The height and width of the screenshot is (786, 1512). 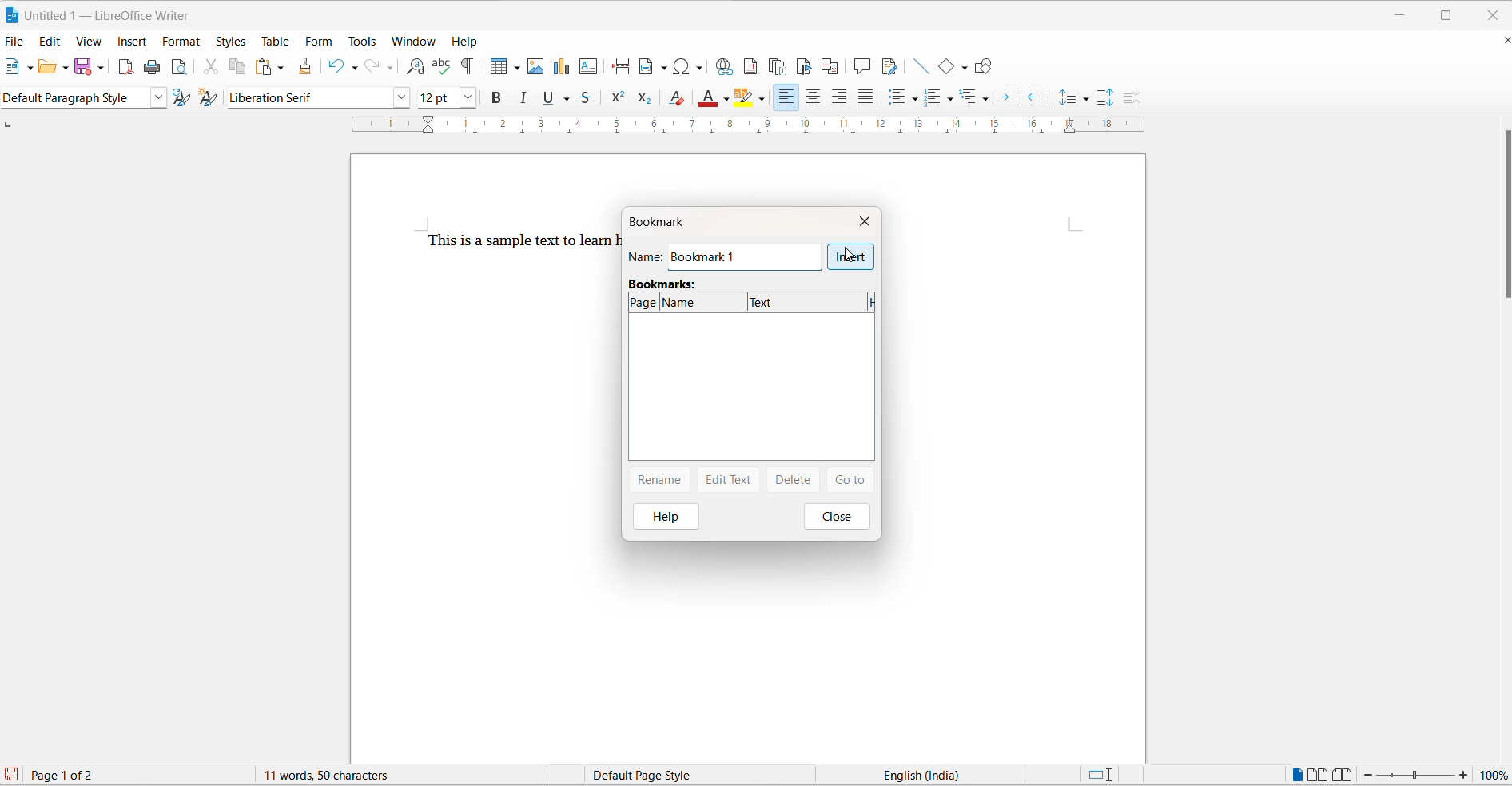 I want to click on zoom slider, so click(x=1417, y=776).